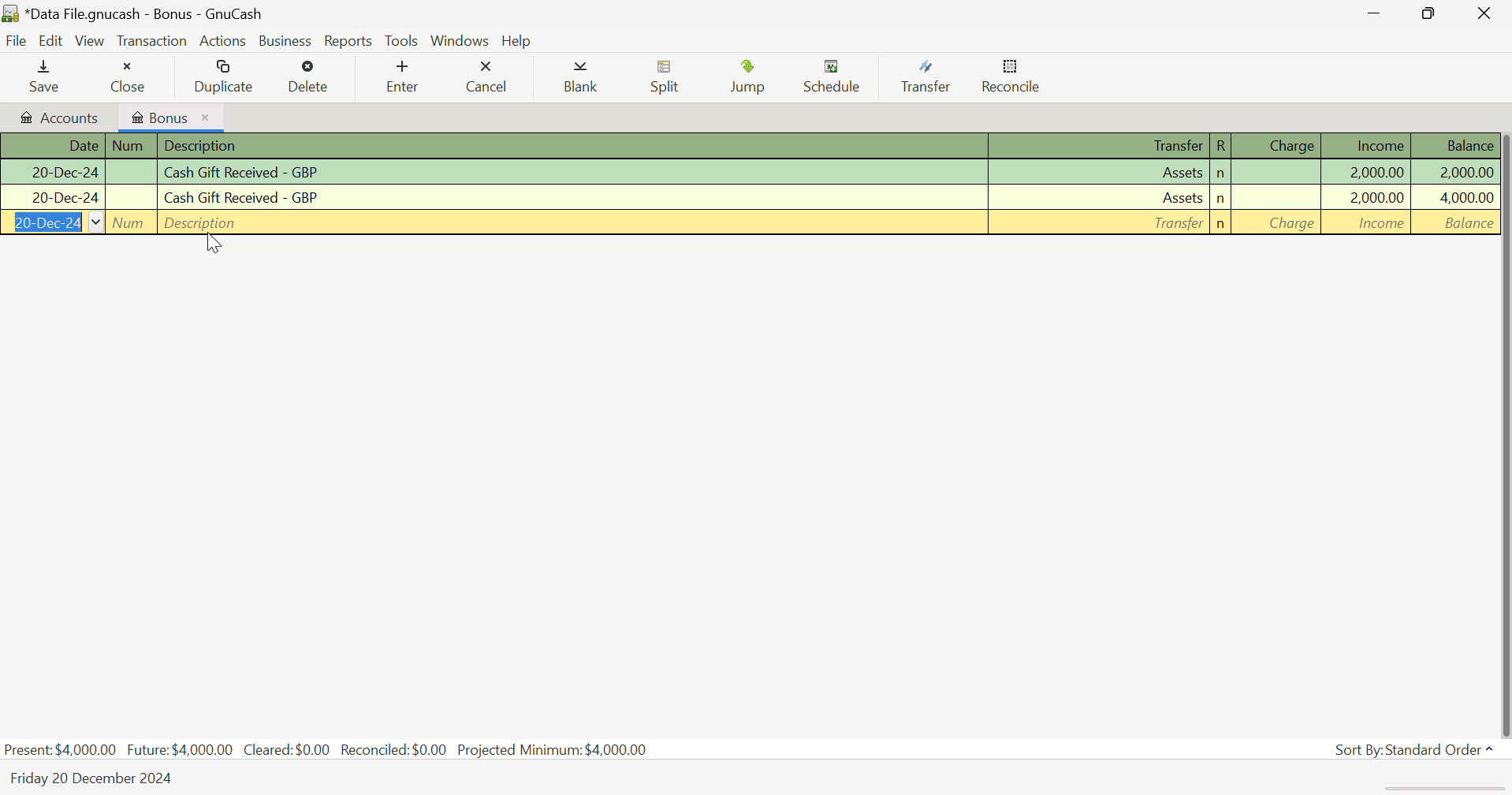 This screenshot has height=795, width=1512. What do you see at coordinates (574, 147) in the screenshot?
I see `Description` at bounding box center [574, 147].